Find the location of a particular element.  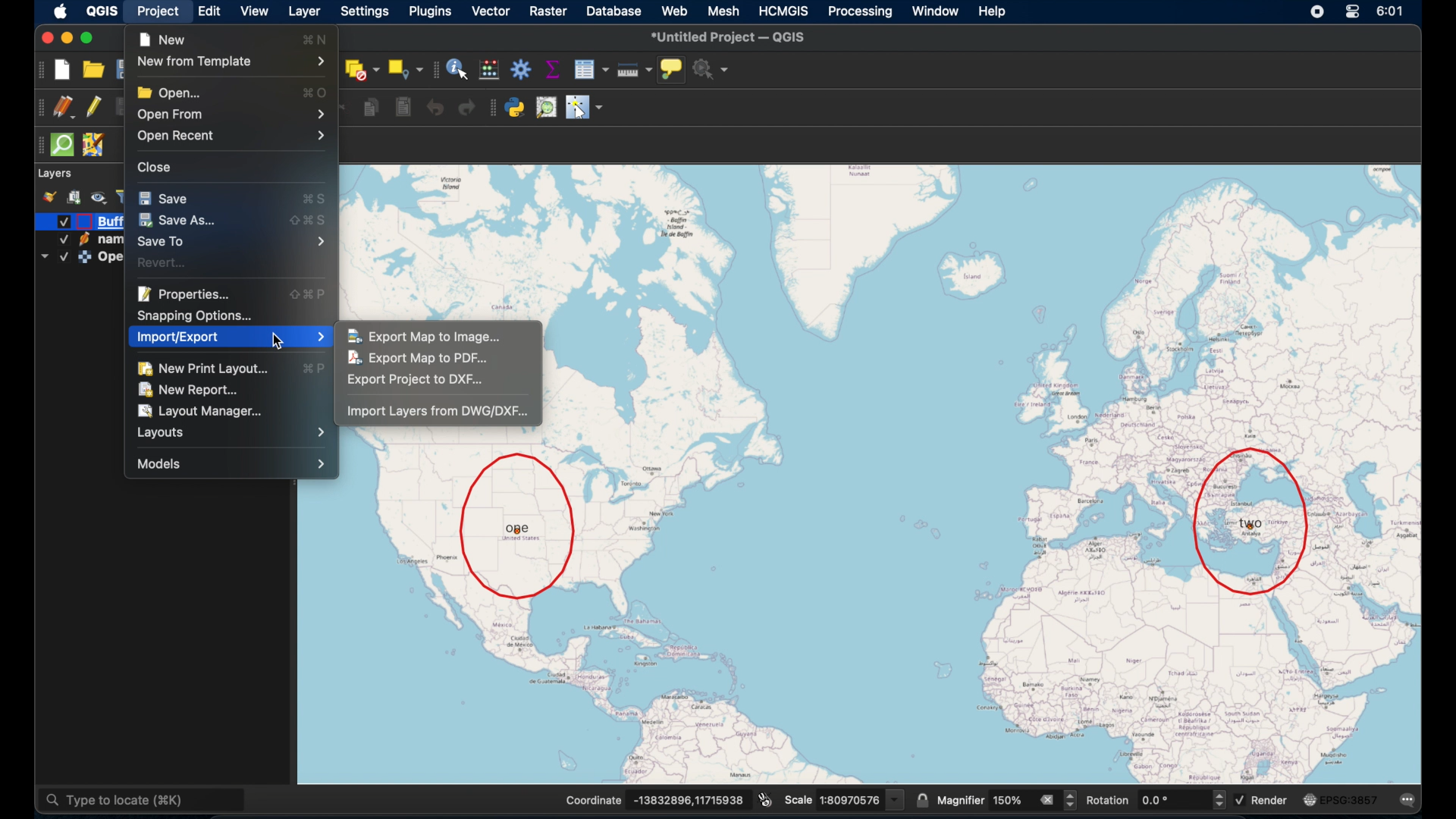

copy features is located at coordinates (371, 108).